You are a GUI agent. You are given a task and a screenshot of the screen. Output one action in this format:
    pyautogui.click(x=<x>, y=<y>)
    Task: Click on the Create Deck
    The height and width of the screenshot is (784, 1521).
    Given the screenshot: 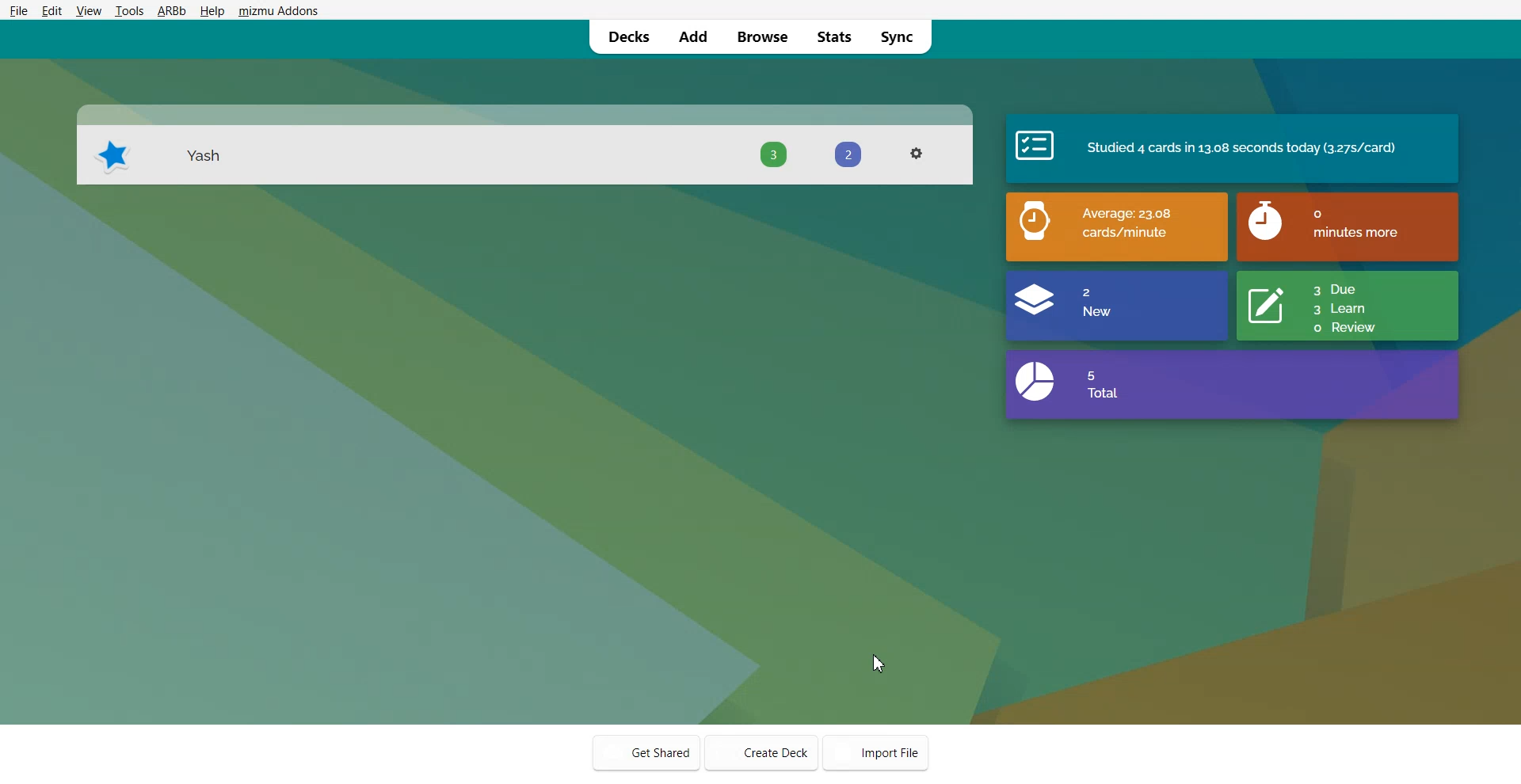 What is the action you would take?
    pyautogui.click(x=762, y=751)
    